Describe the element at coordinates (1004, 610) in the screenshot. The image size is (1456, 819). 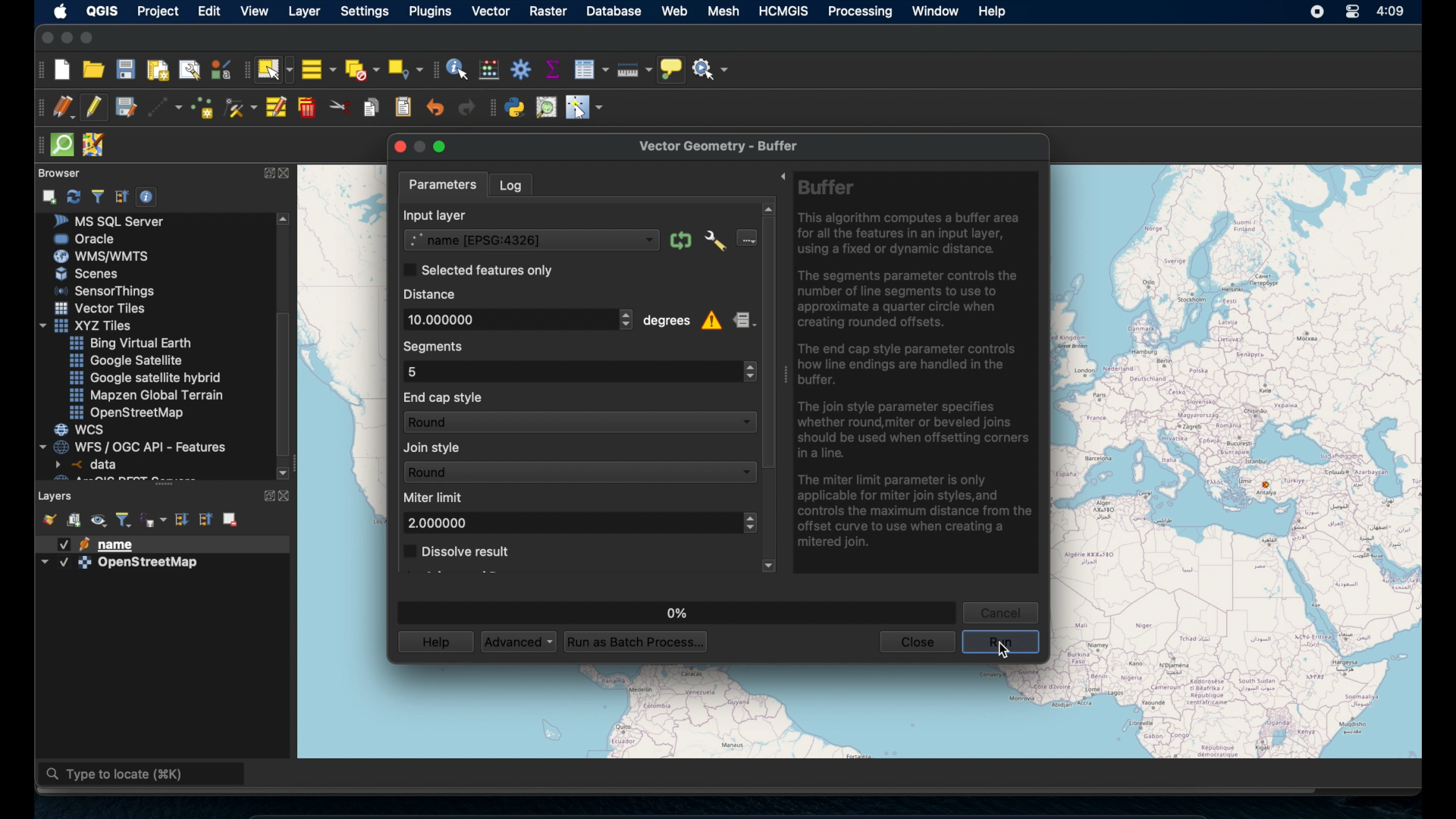
I see `cancel` at that location.